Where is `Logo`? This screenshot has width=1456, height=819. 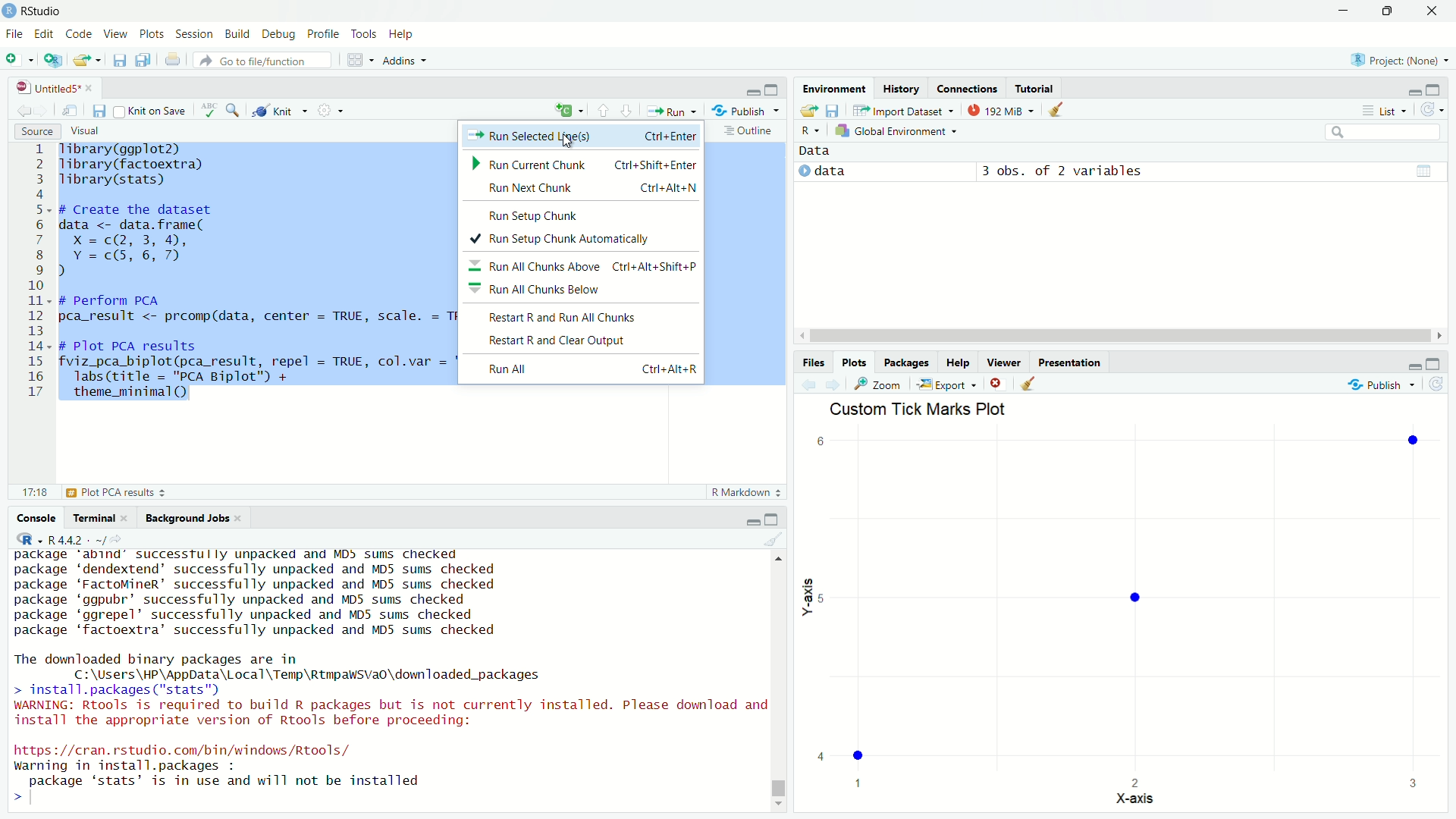
Logo is located at coordinates (10, 11).